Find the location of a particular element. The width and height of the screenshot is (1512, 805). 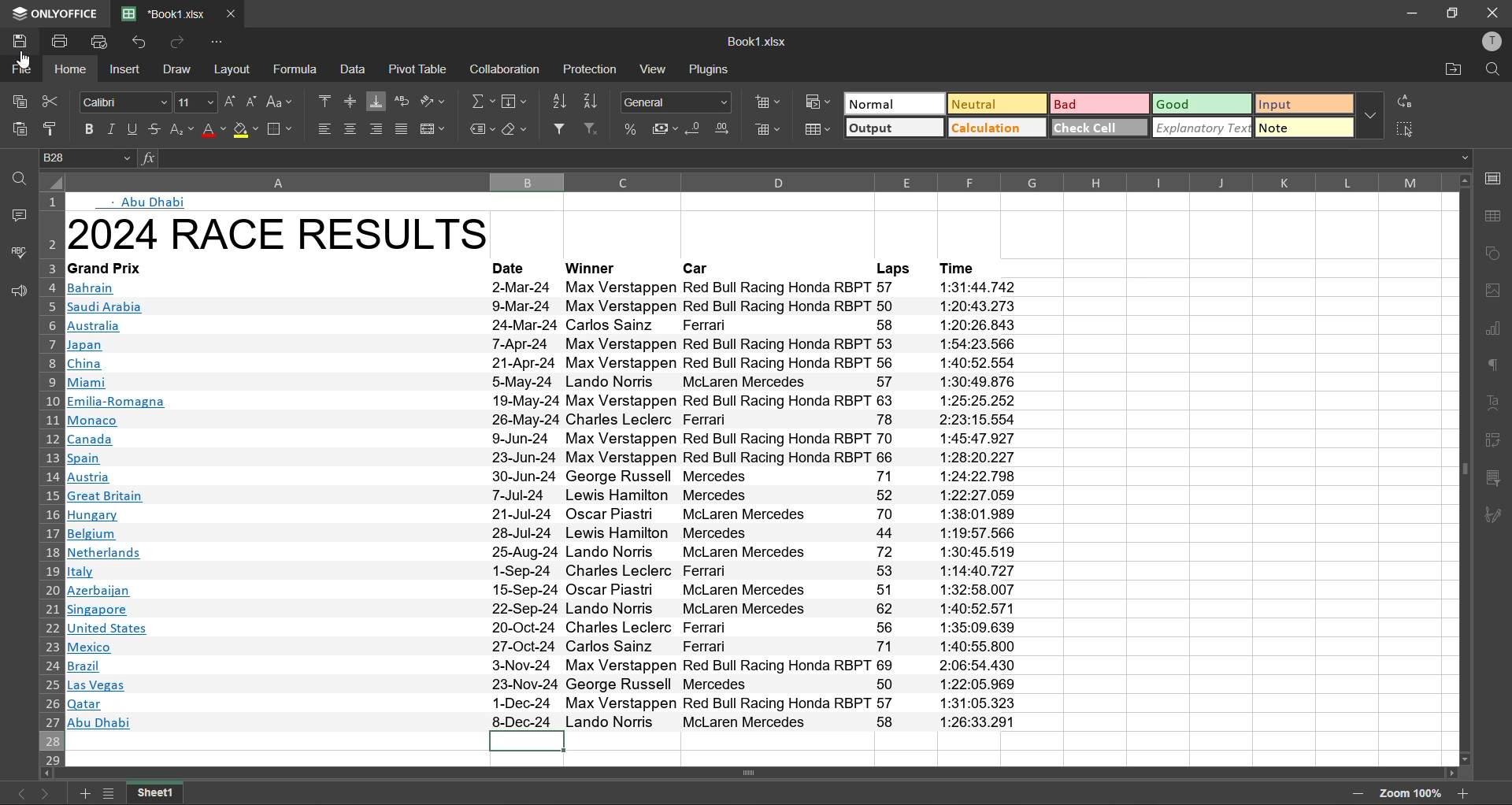

format as table is located at coordinates (819, 132).